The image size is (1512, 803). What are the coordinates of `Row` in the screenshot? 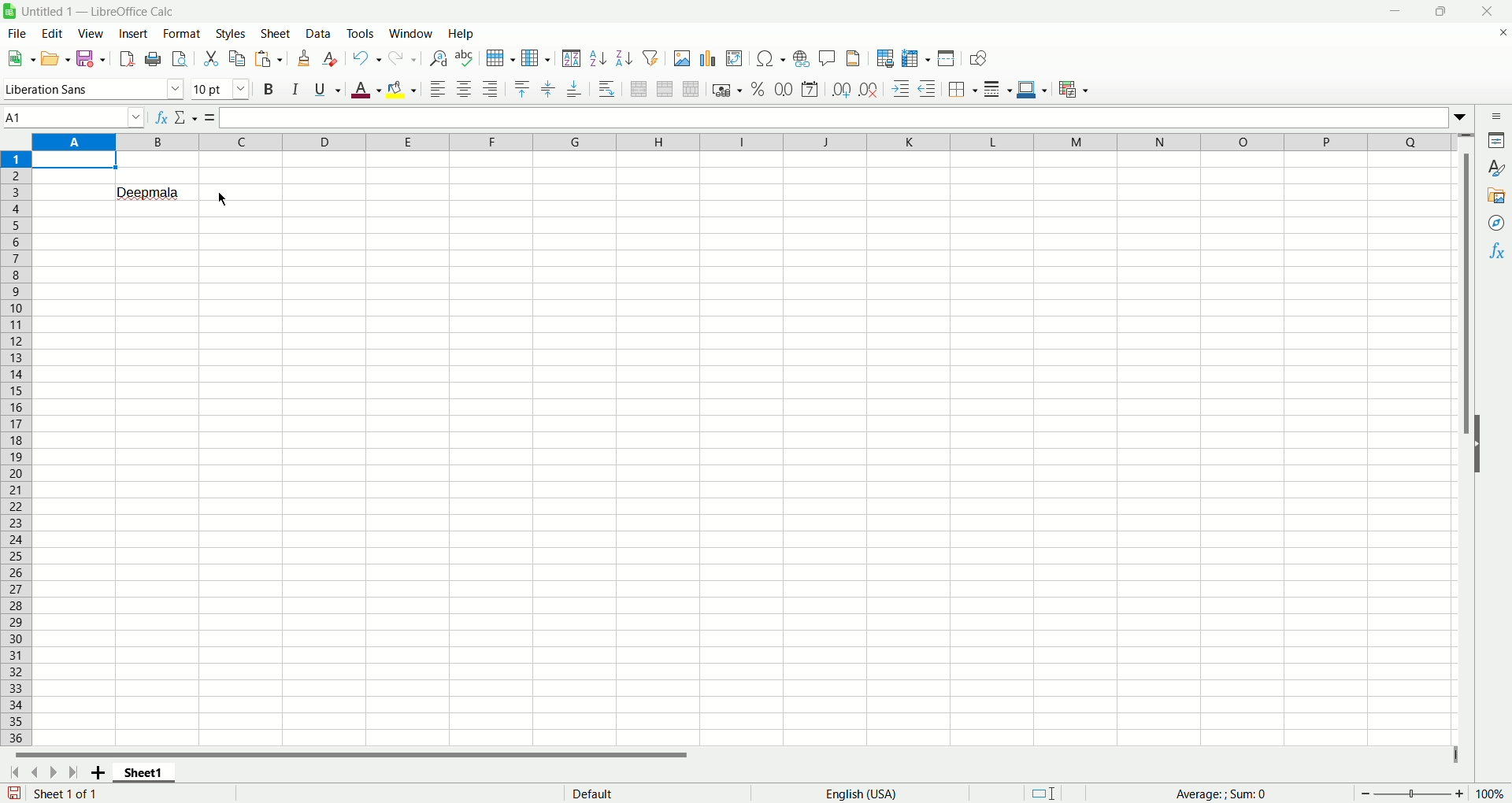 It's located at (502, 58).